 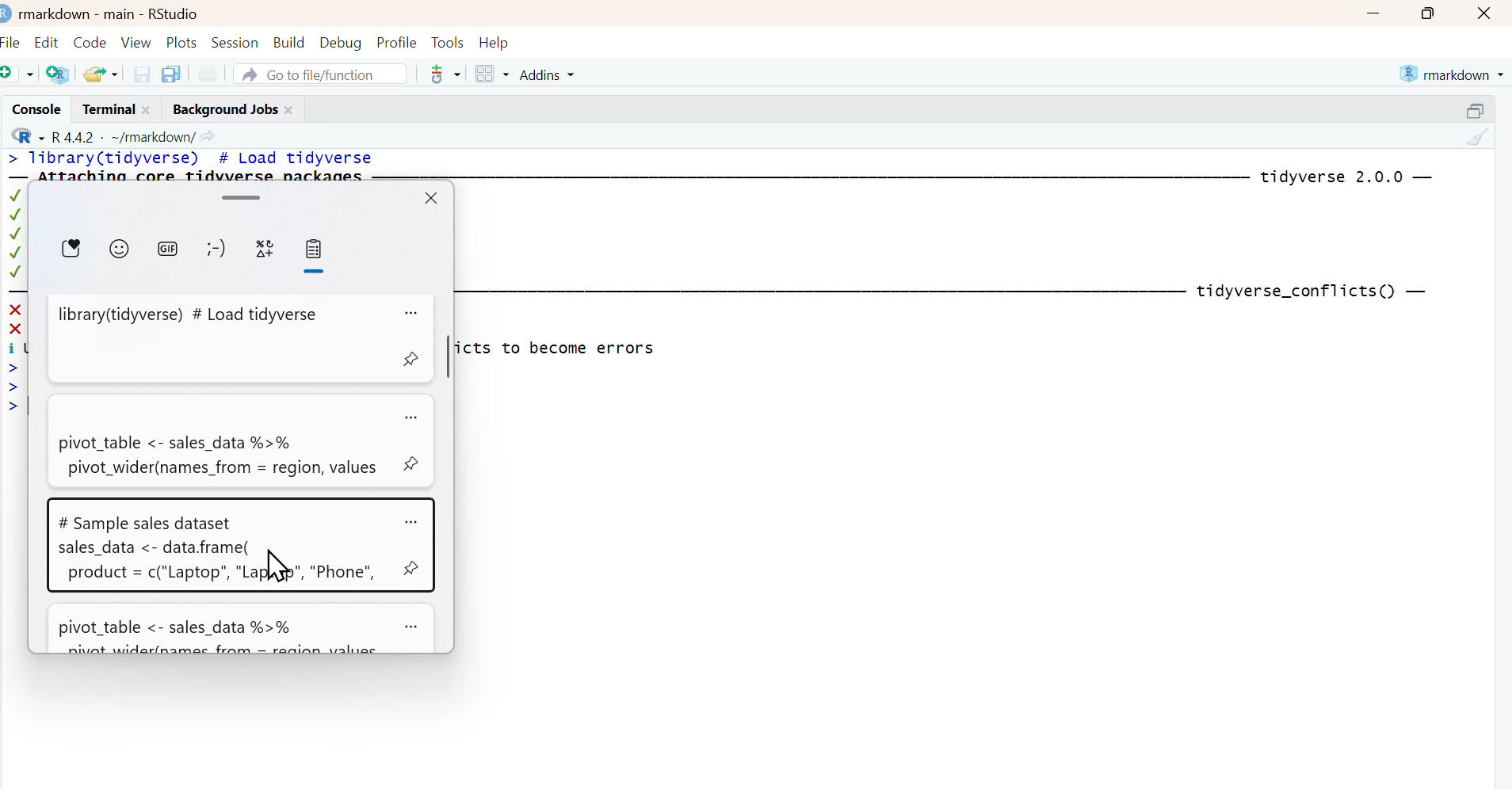 I want to click on Edit, so click(x=48, y=39).